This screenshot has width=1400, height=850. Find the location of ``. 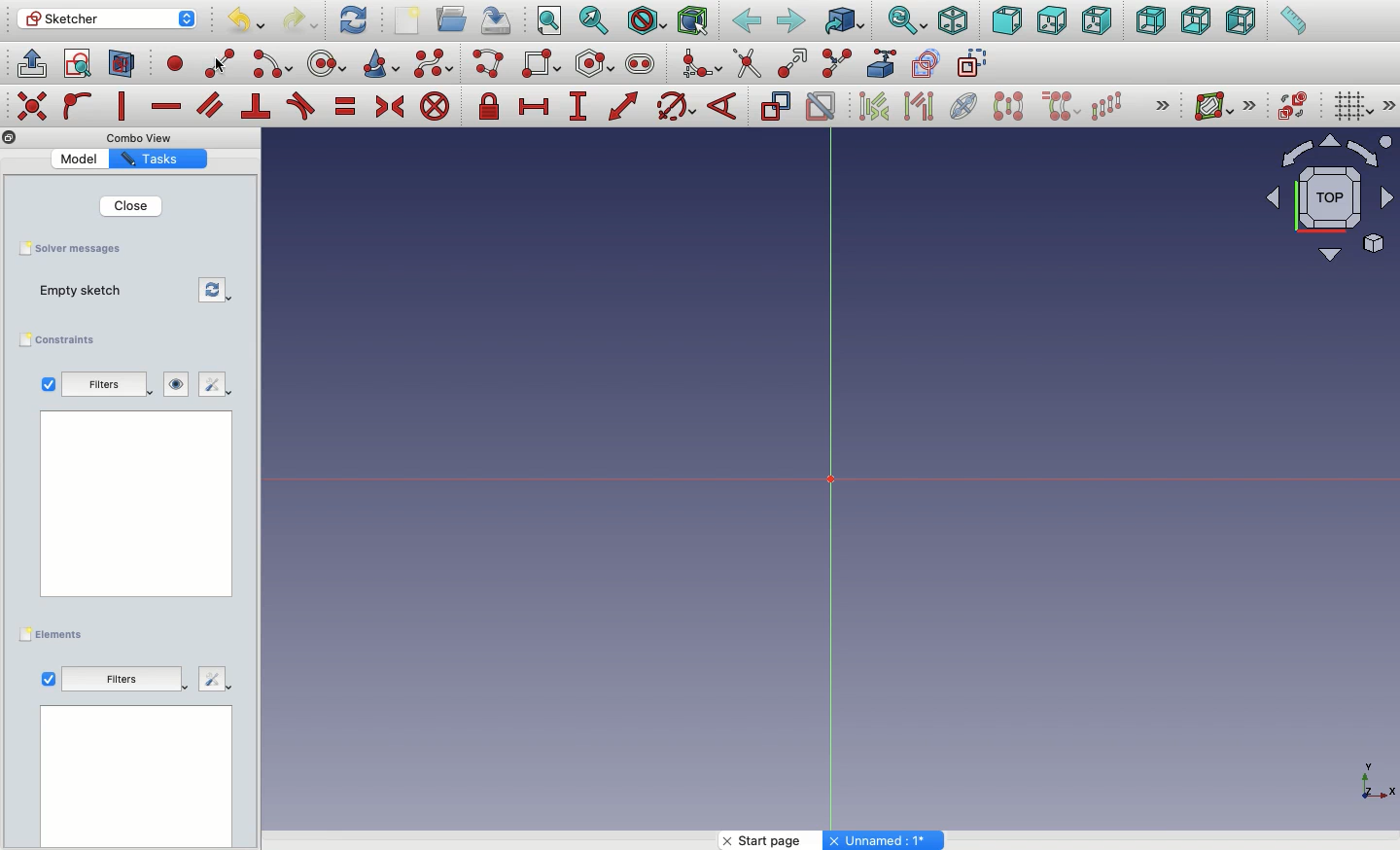

 is located at coordinates (130, 512).